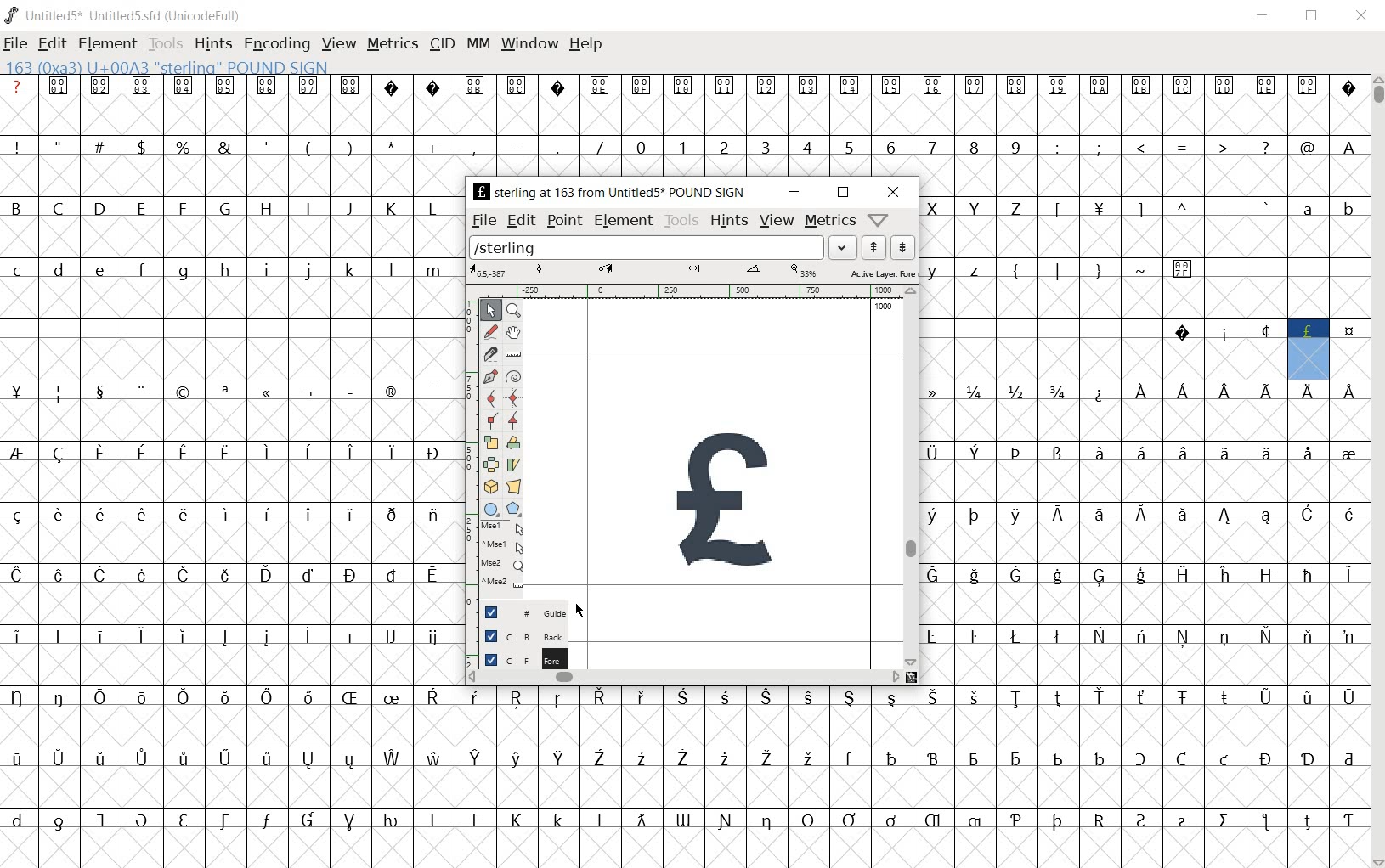 This screenshot has width=1385, height=868. Describe the element at coordinates (1143, 391) in the screenshot. I see `Symbol` at that location.